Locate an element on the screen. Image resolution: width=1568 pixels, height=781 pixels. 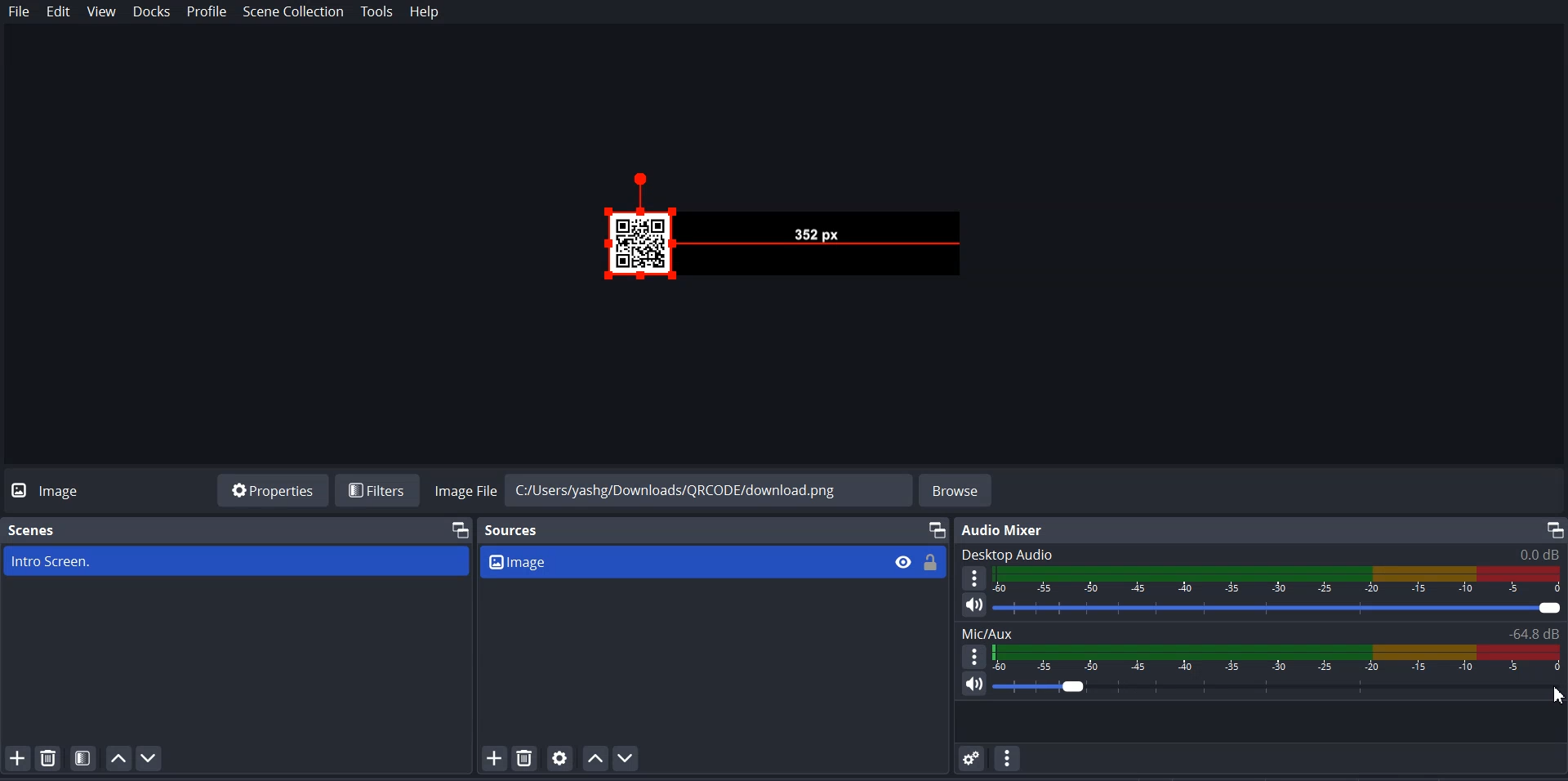
Eye is located at coordinates (902, 561).